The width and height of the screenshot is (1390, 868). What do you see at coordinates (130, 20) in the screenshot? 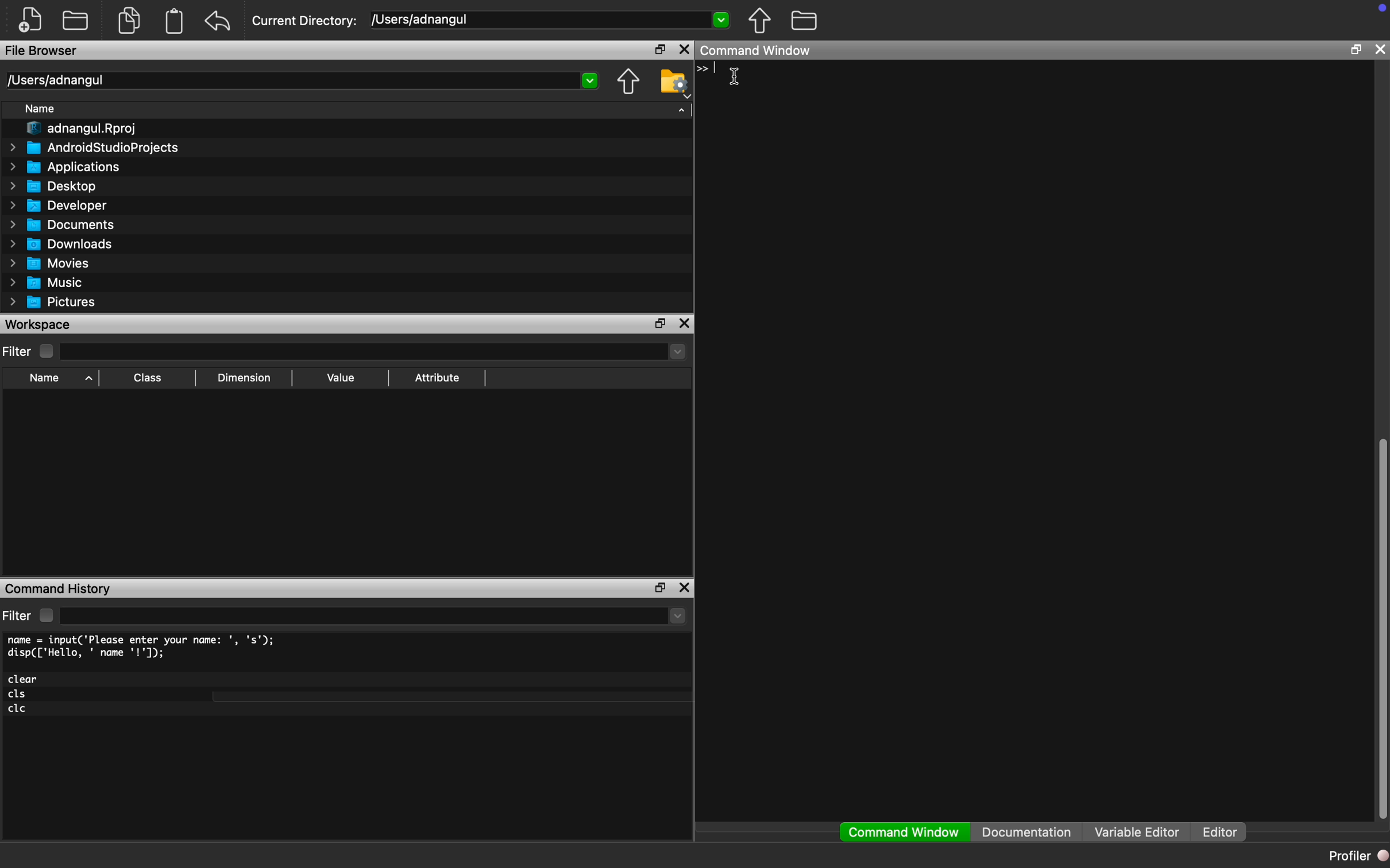
I see `duplicate` at bounding box center [130, 20].